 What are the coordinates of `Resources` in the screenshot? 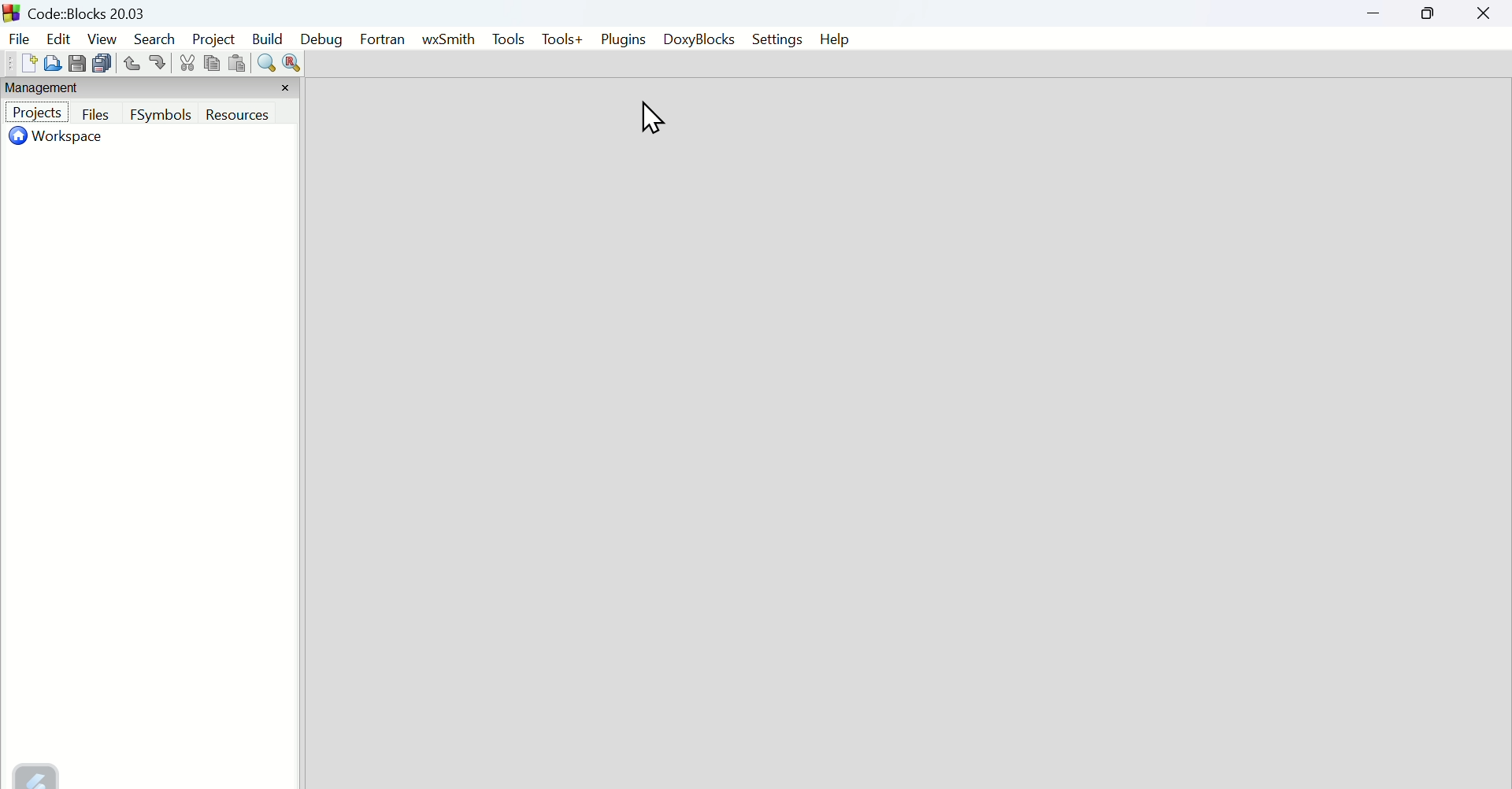 It's located at (237, 114).